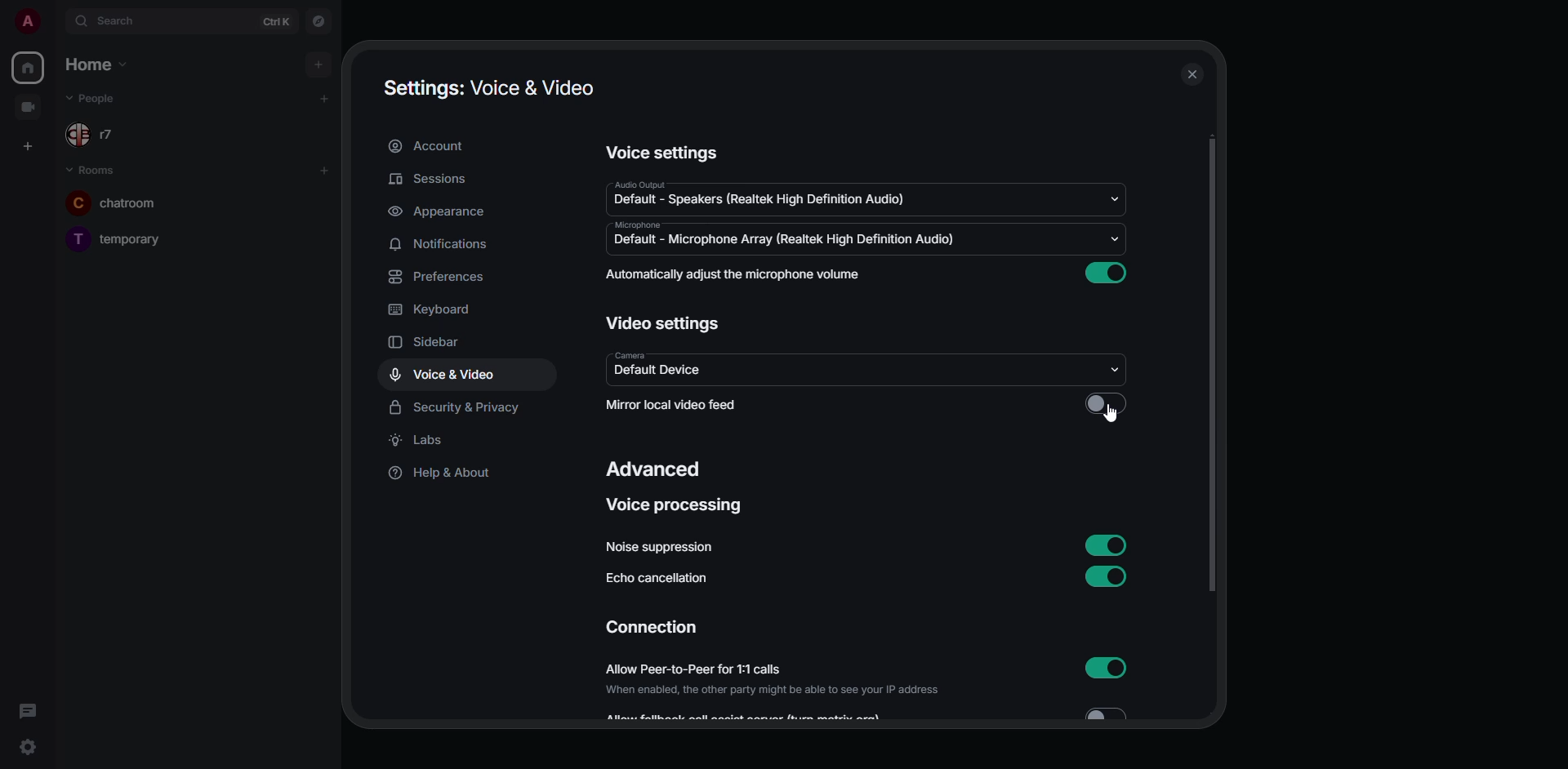 The image size is (1568, 769). I want to click on automatically adjust mic volume, so click(732, 274).